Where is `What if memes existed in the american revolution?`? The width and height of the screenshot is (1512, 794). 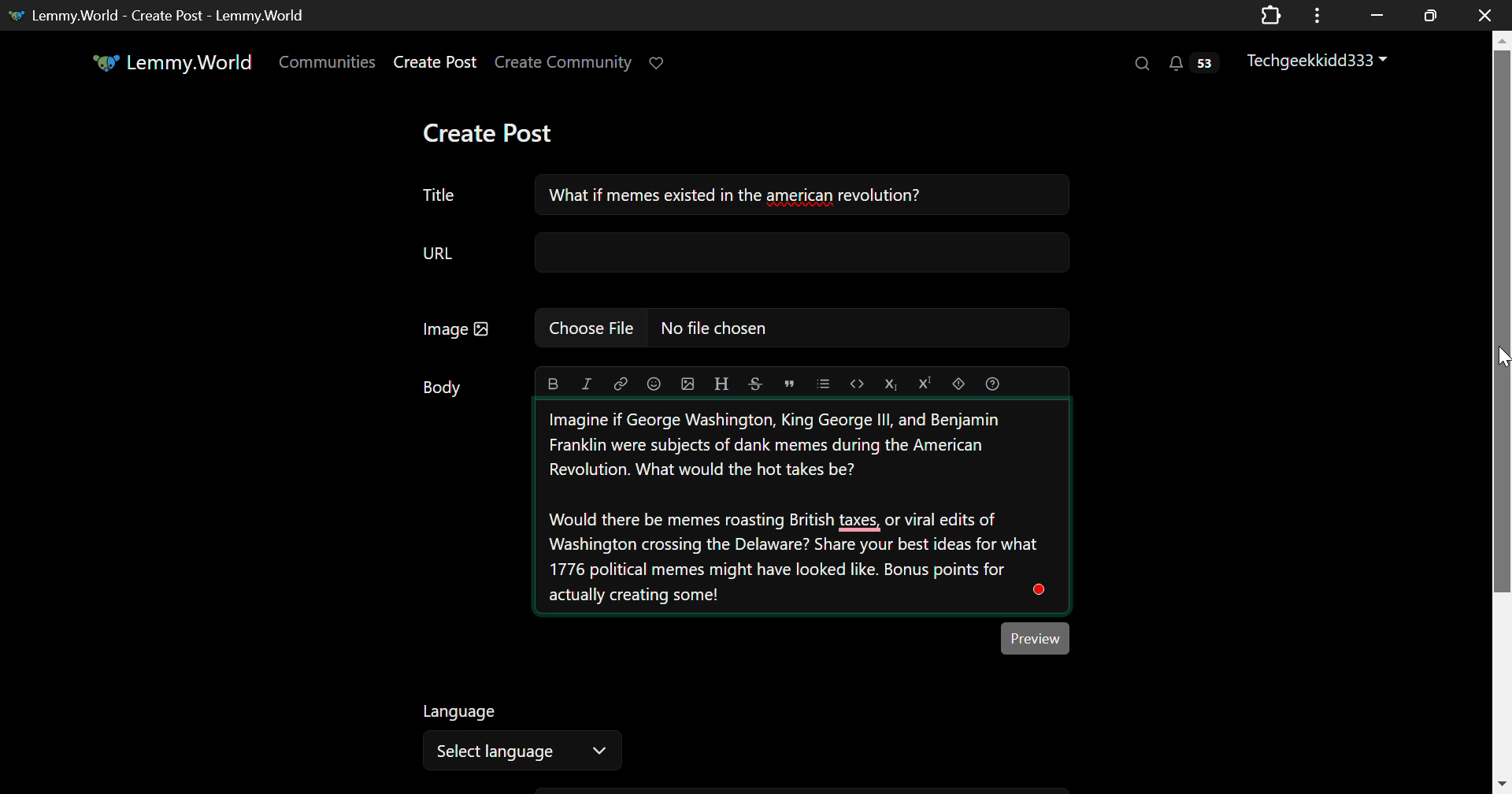 What if memes existed in the american revolution? is located at coordinates (800, 195).